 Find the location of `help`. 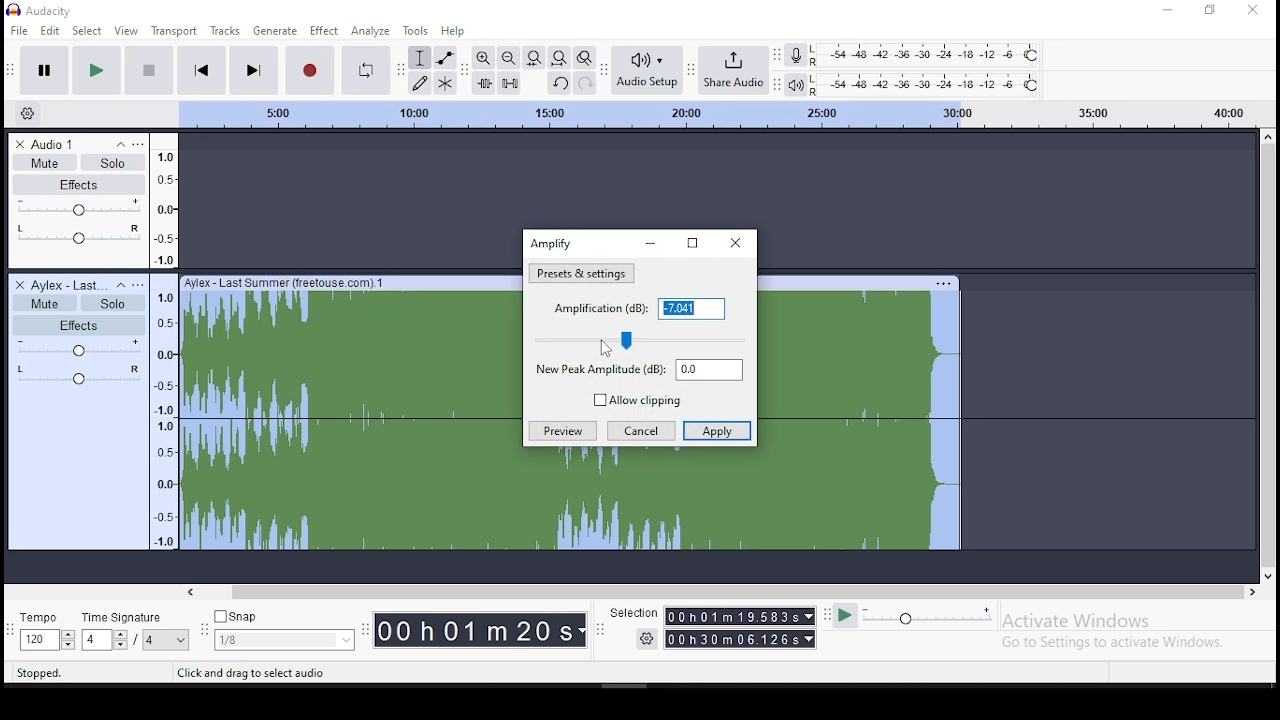

help is located at coordinates (453, 31).